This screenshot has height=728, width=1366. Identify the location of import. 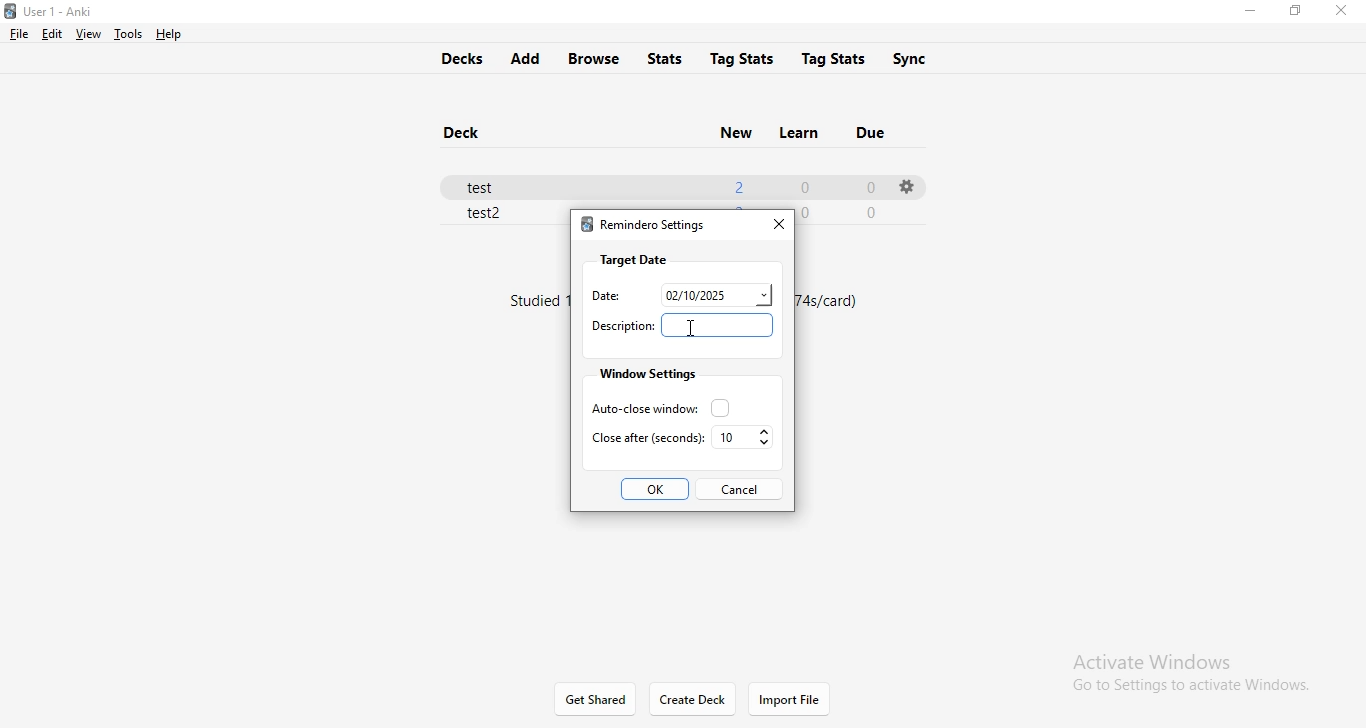
(789, 700).